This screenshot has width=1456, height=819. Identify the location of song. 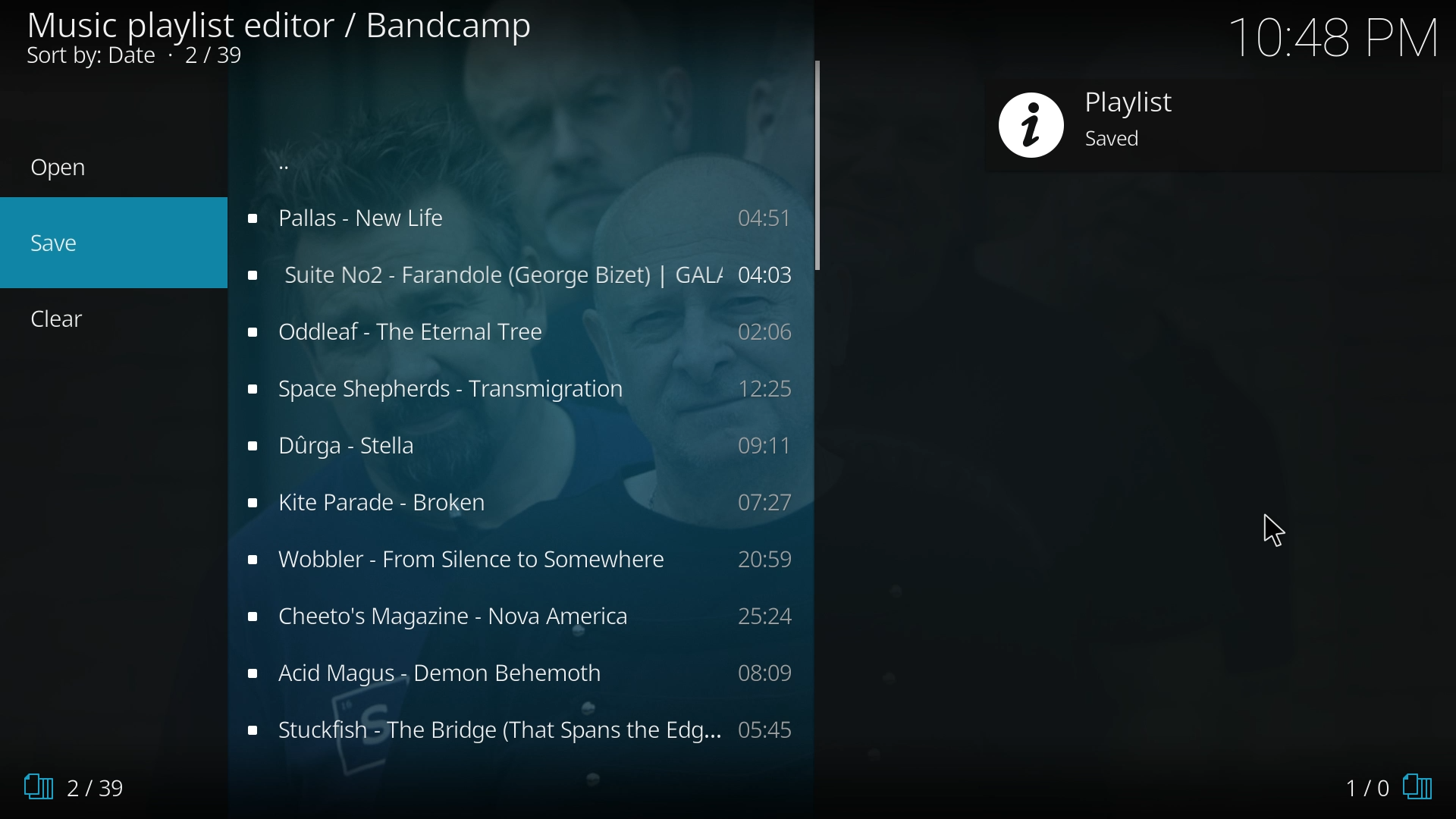
(517, 274).